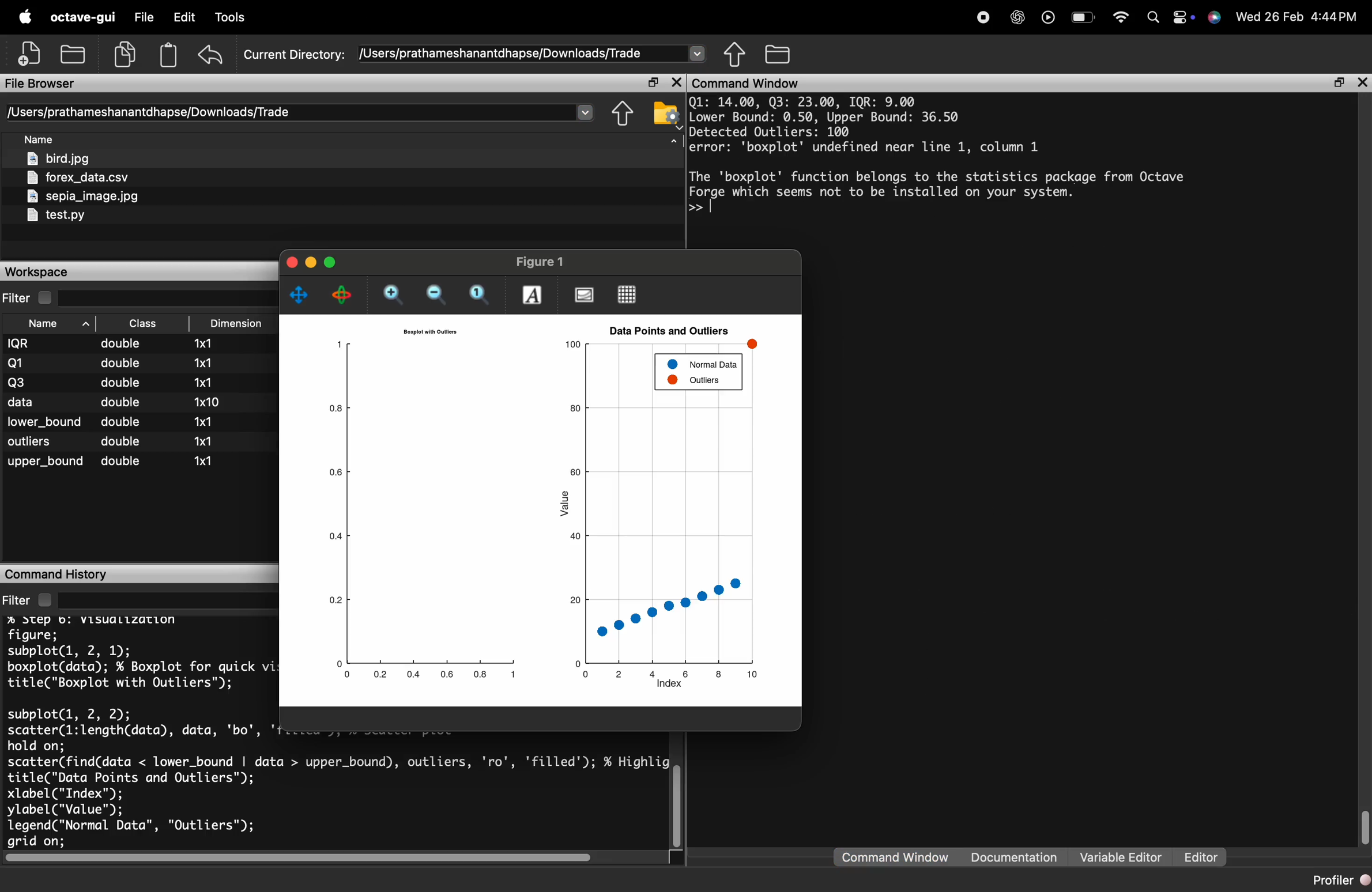  What do you see at coordinates (116, 381) in the screenshot?
I see `Q3 double 1x1` at bounding box center [116, 381].